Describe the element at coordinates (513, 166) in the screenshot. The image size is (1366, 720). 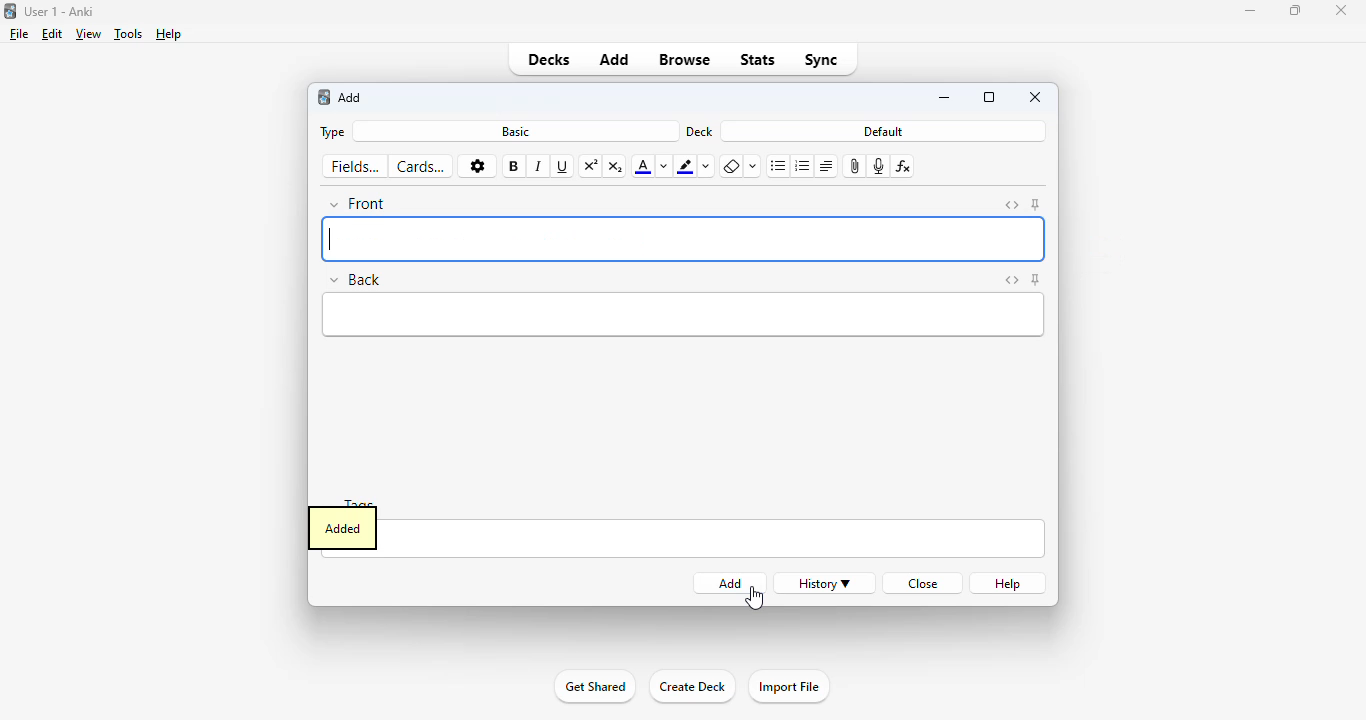
I see `bold` at that location.